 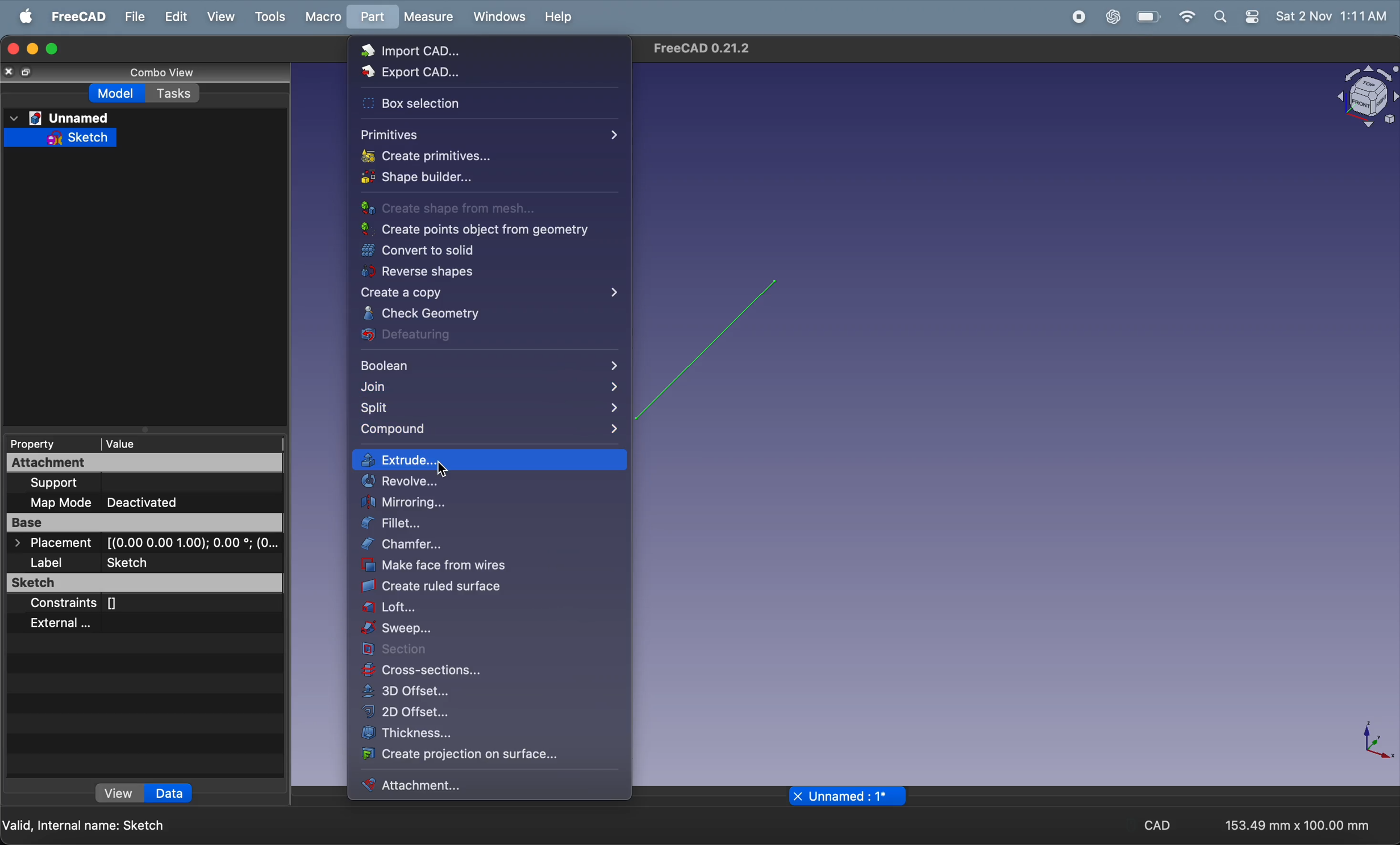 What do you see at coordinates (485, 271) in the screenshot?
I see `reverse shapes` at bounding box center [485, 271].